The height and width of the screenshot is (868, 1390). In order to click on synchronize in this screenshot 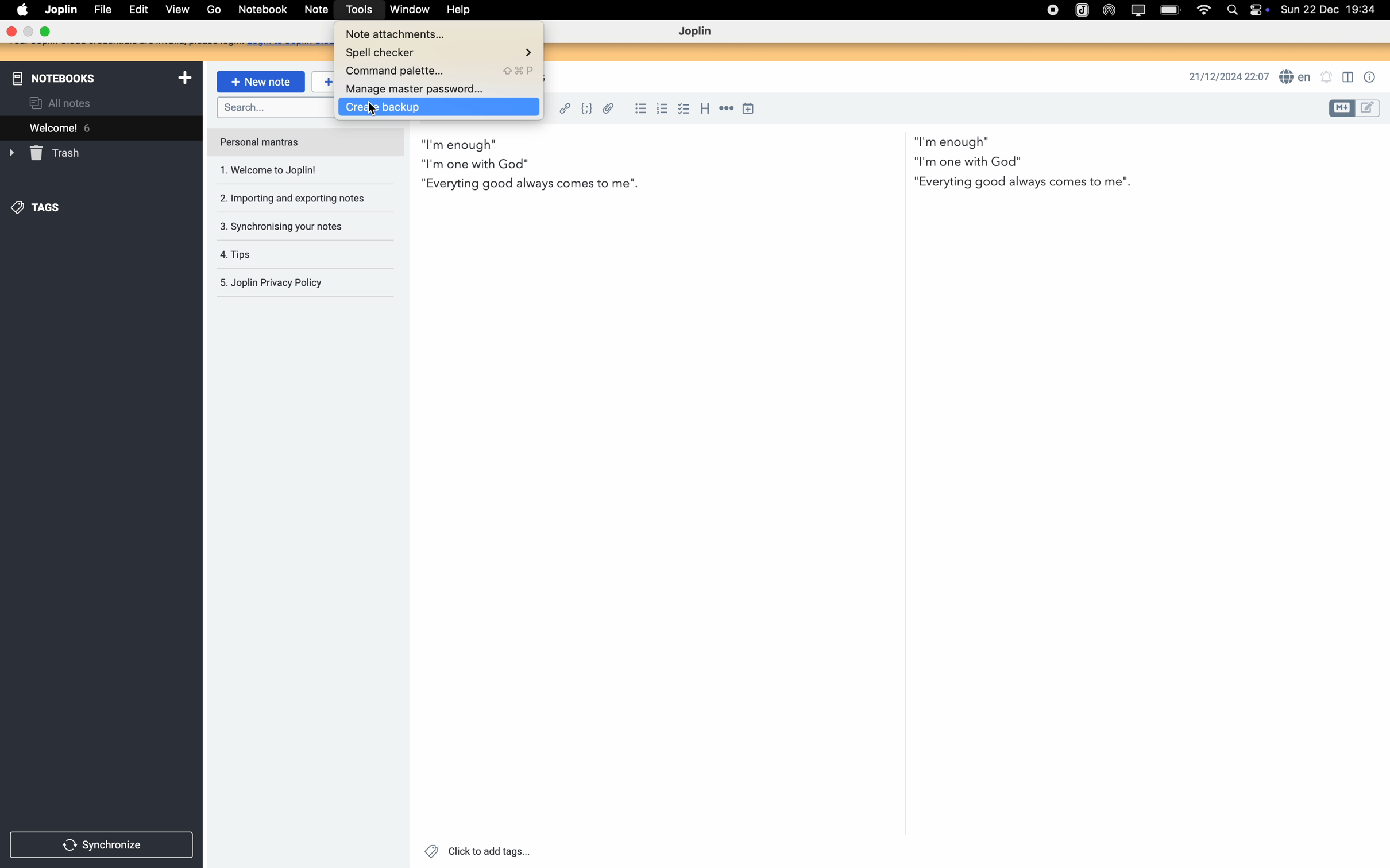, I will do `click(100, 847)`.